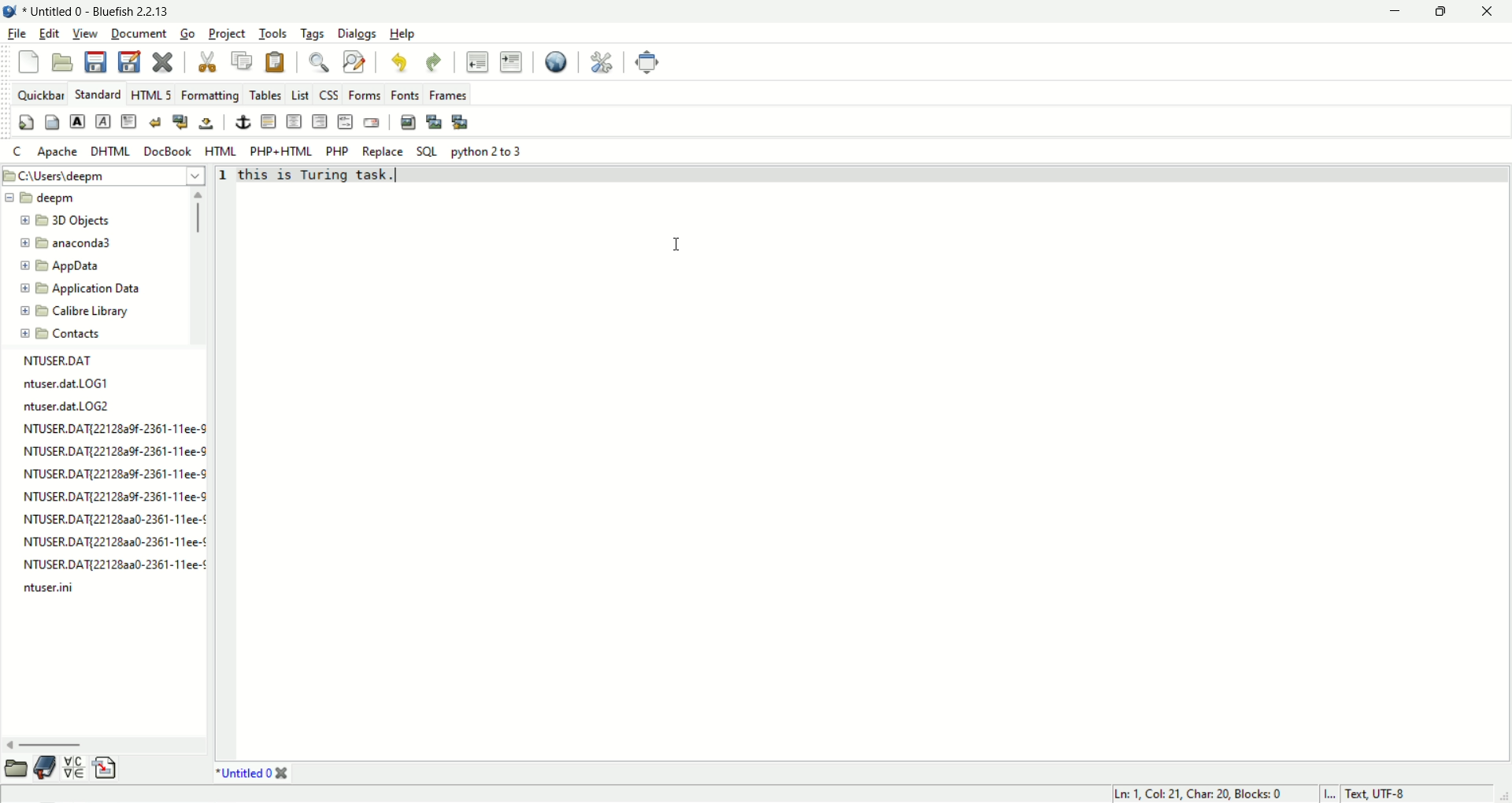  What do you see at coordinates (53, 121) in the screenshot?
I see `body` at bounding box center [53, 121].